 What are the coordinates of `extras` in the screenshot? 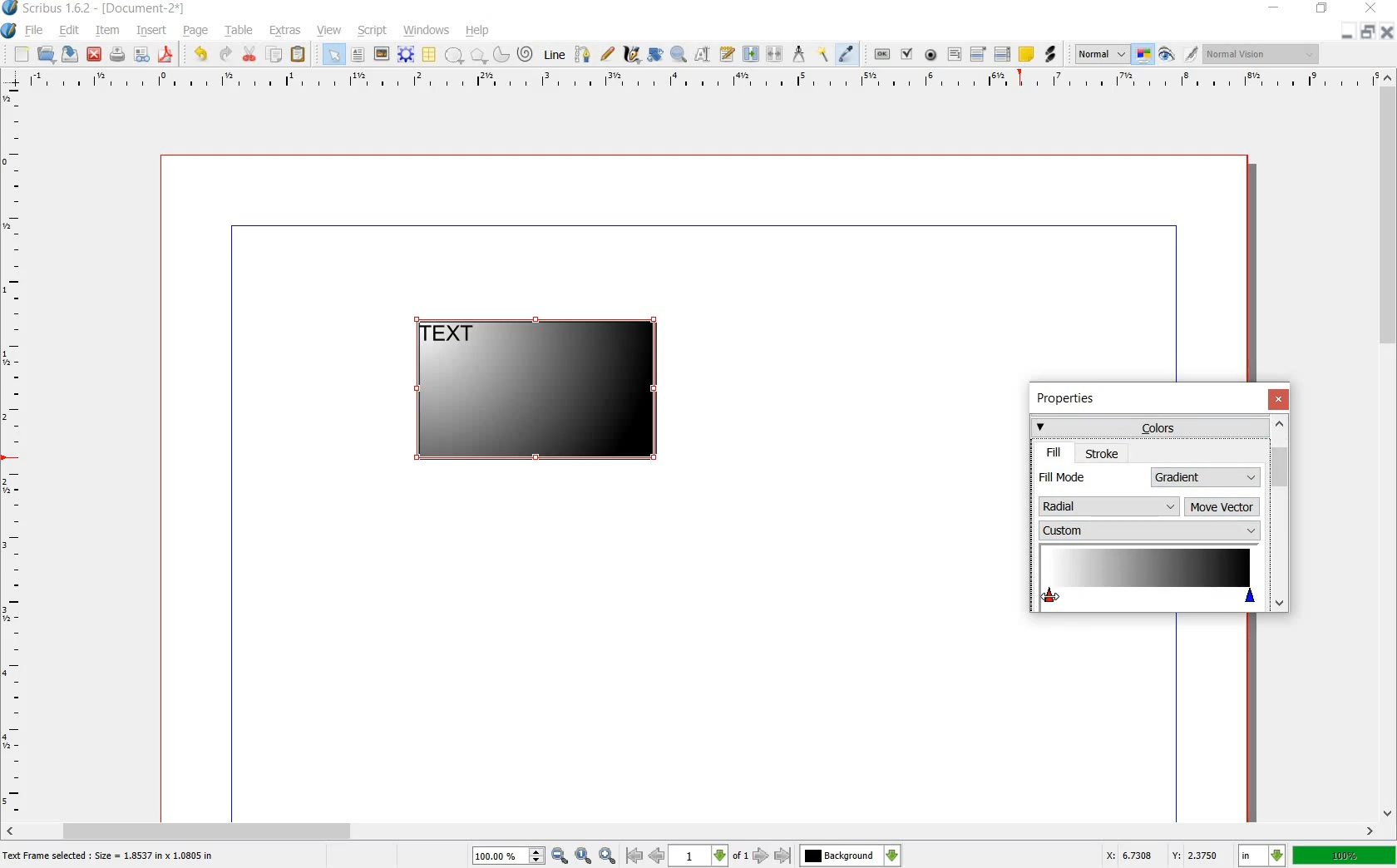 It's located at (285, 31).